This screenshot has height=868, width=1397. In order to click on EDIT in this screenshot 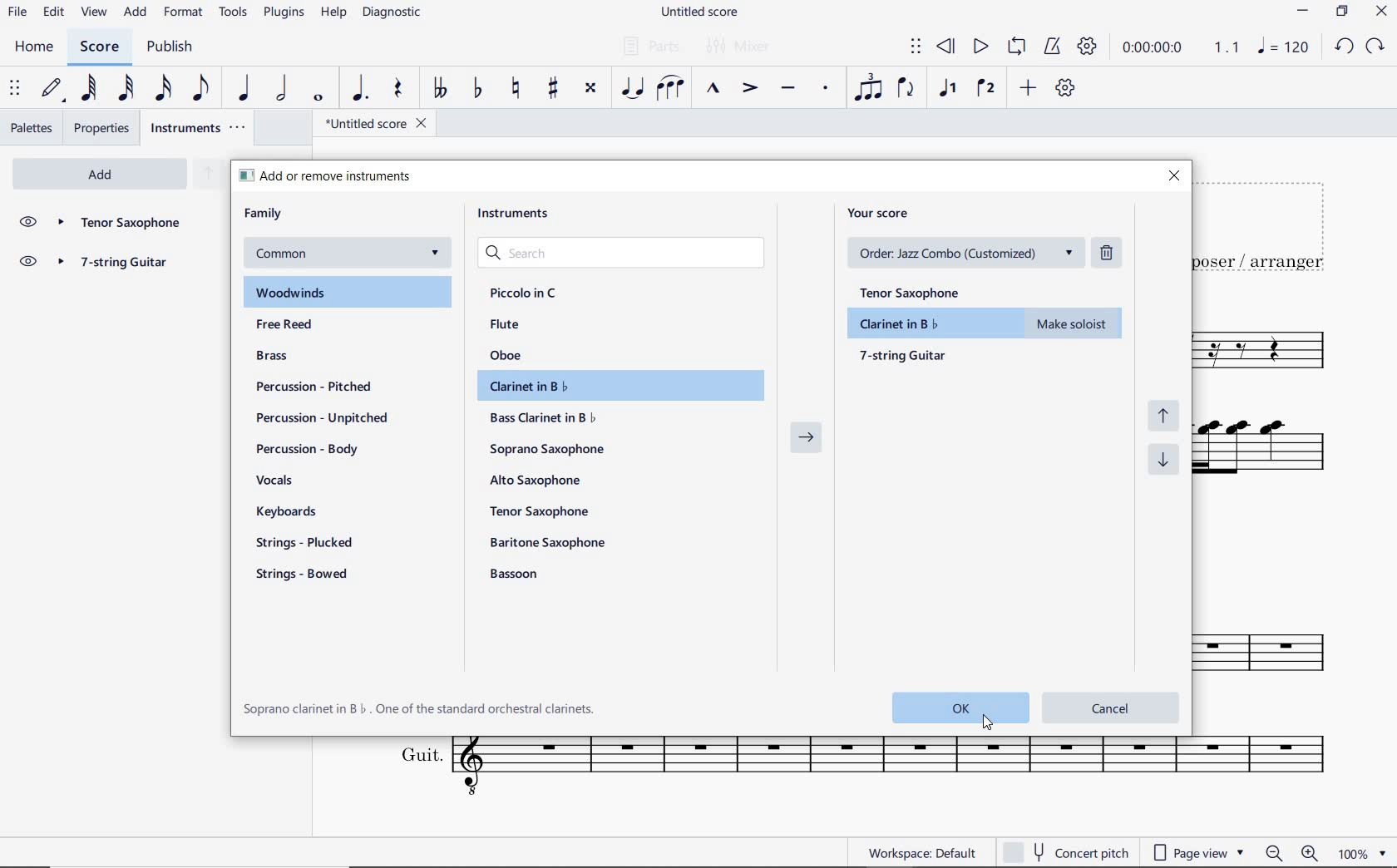, I will do `click(54, 12)`.